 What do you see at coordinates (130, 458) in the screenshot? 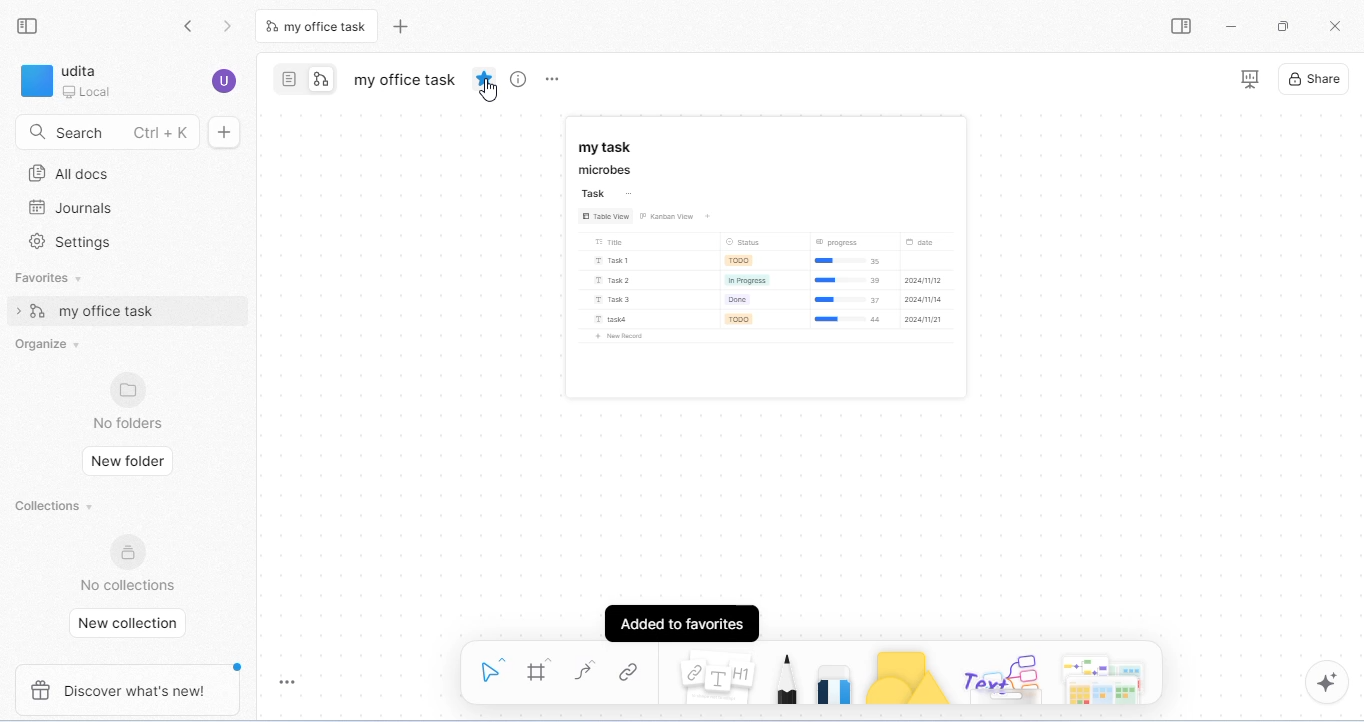
I see `new folder` at bounding box center [130, 458].